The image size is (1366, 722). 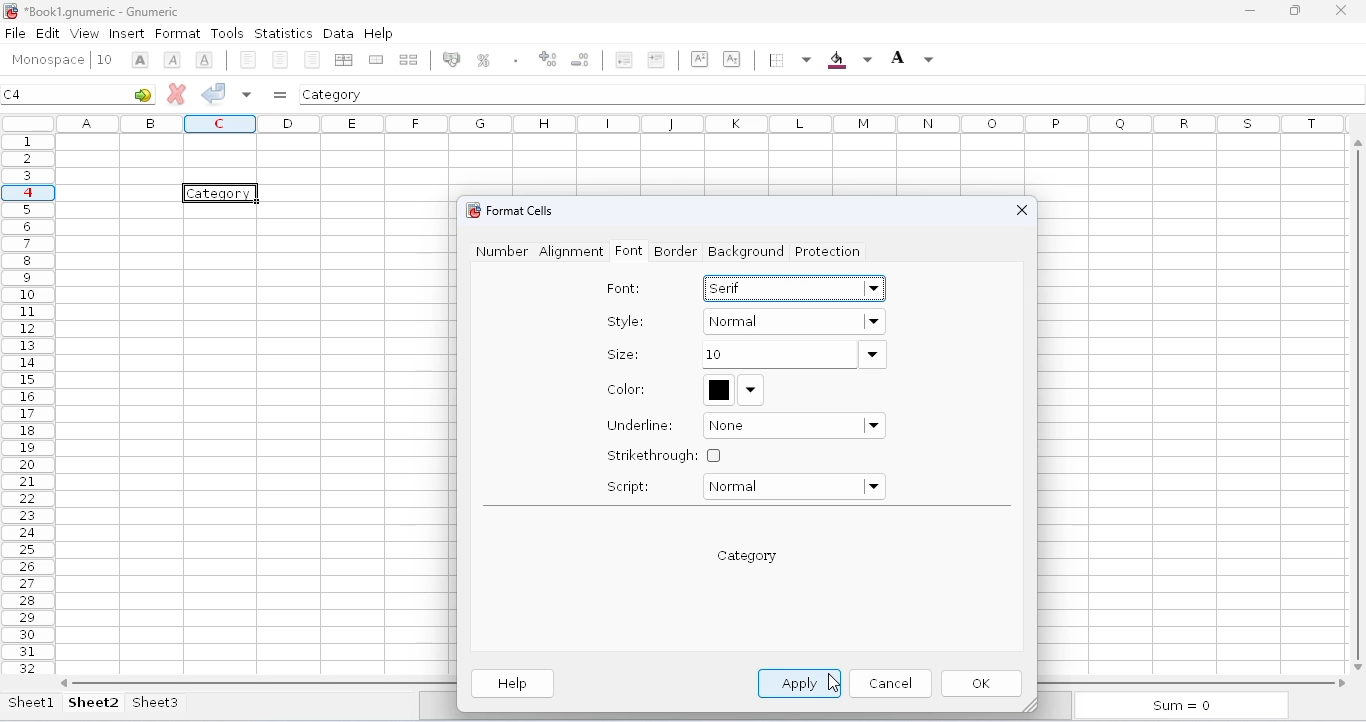 What do you see at coordinates (1177, 707) in the screenshot?
I see `Sum = 0` at bounding box center [1177, 707].